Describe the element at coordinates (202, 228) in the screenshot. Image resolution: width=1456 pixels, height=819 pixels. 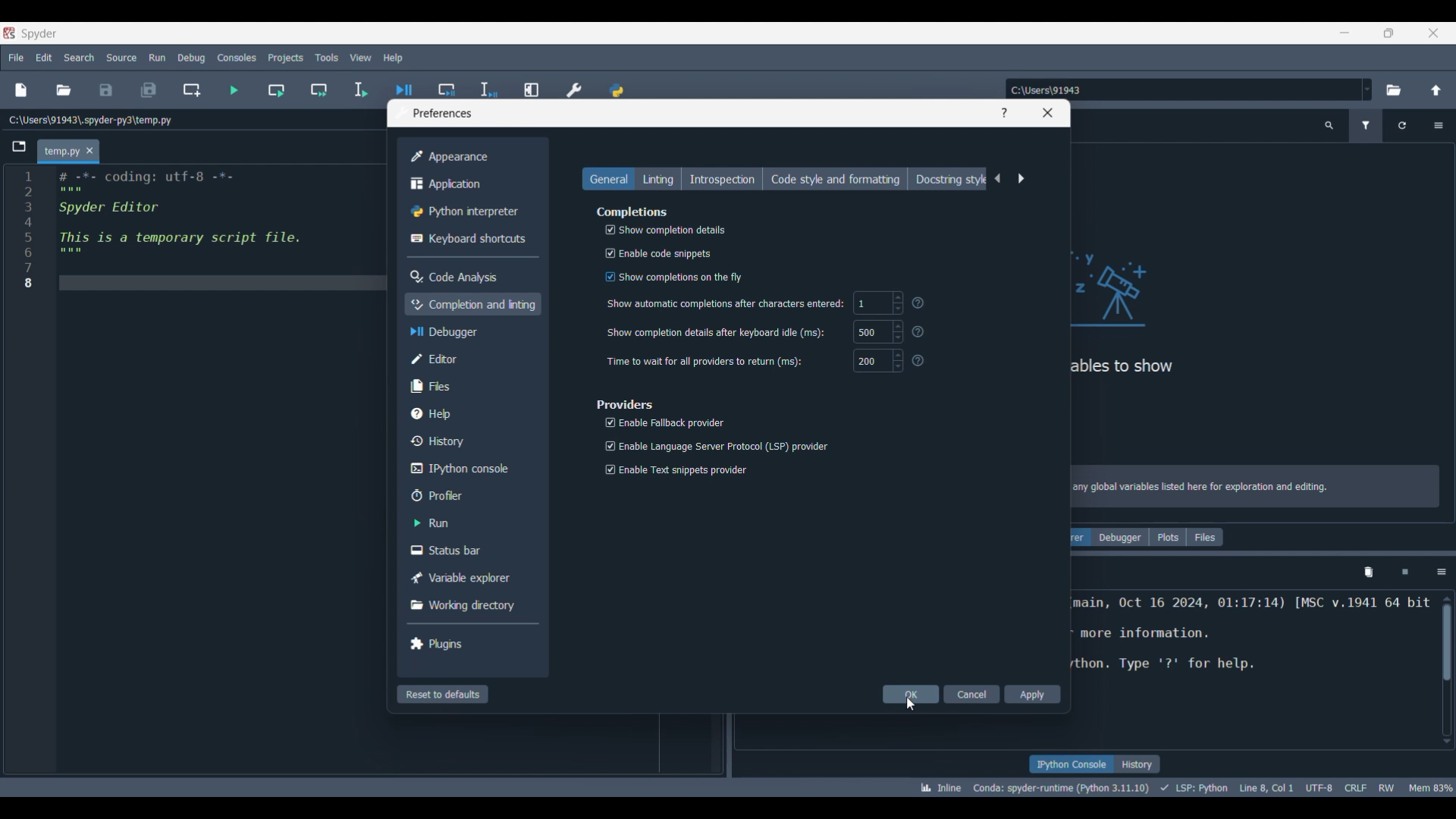
I see `Current code` at that location.